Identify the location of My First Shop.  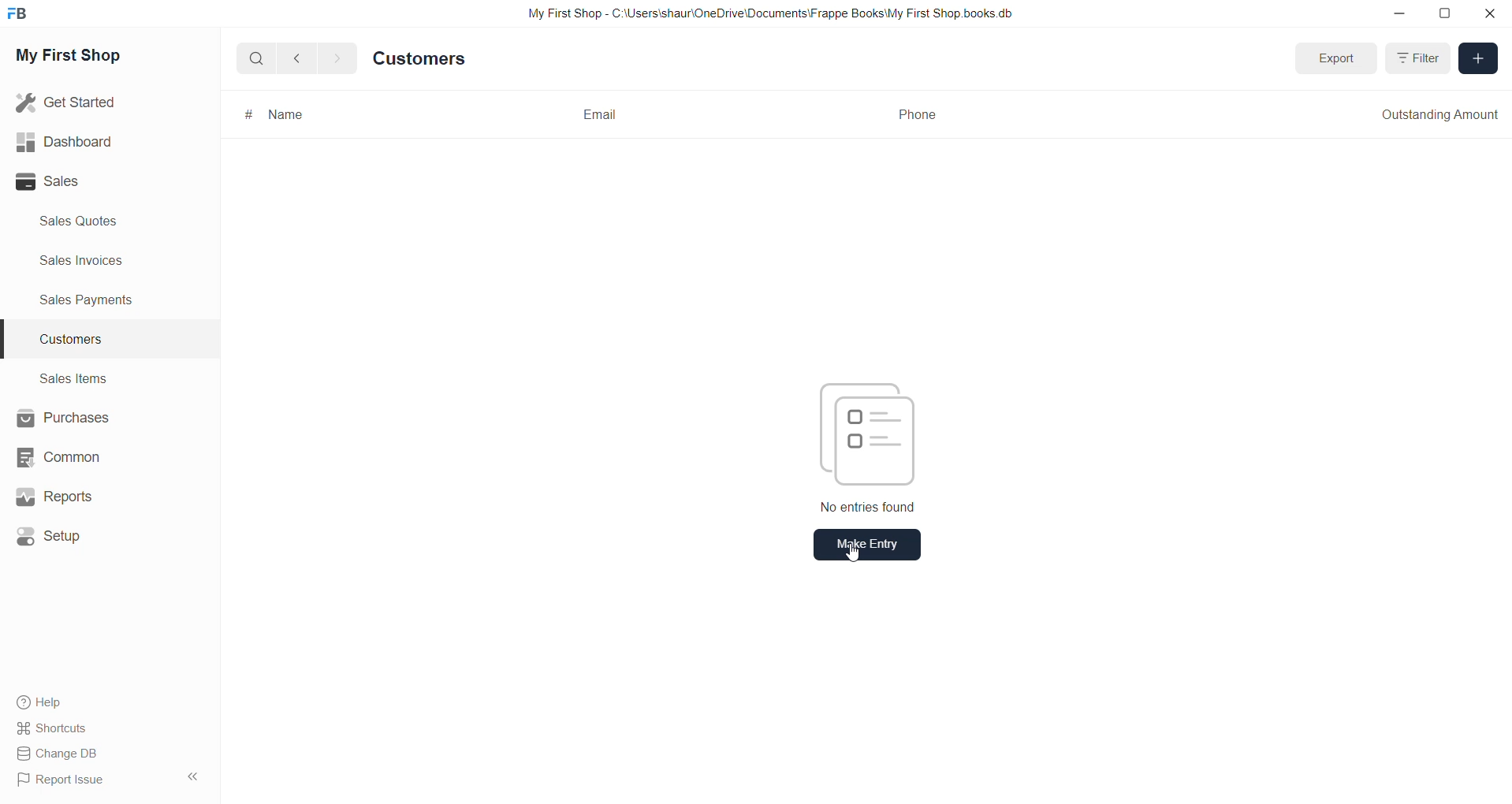
(87, 60).